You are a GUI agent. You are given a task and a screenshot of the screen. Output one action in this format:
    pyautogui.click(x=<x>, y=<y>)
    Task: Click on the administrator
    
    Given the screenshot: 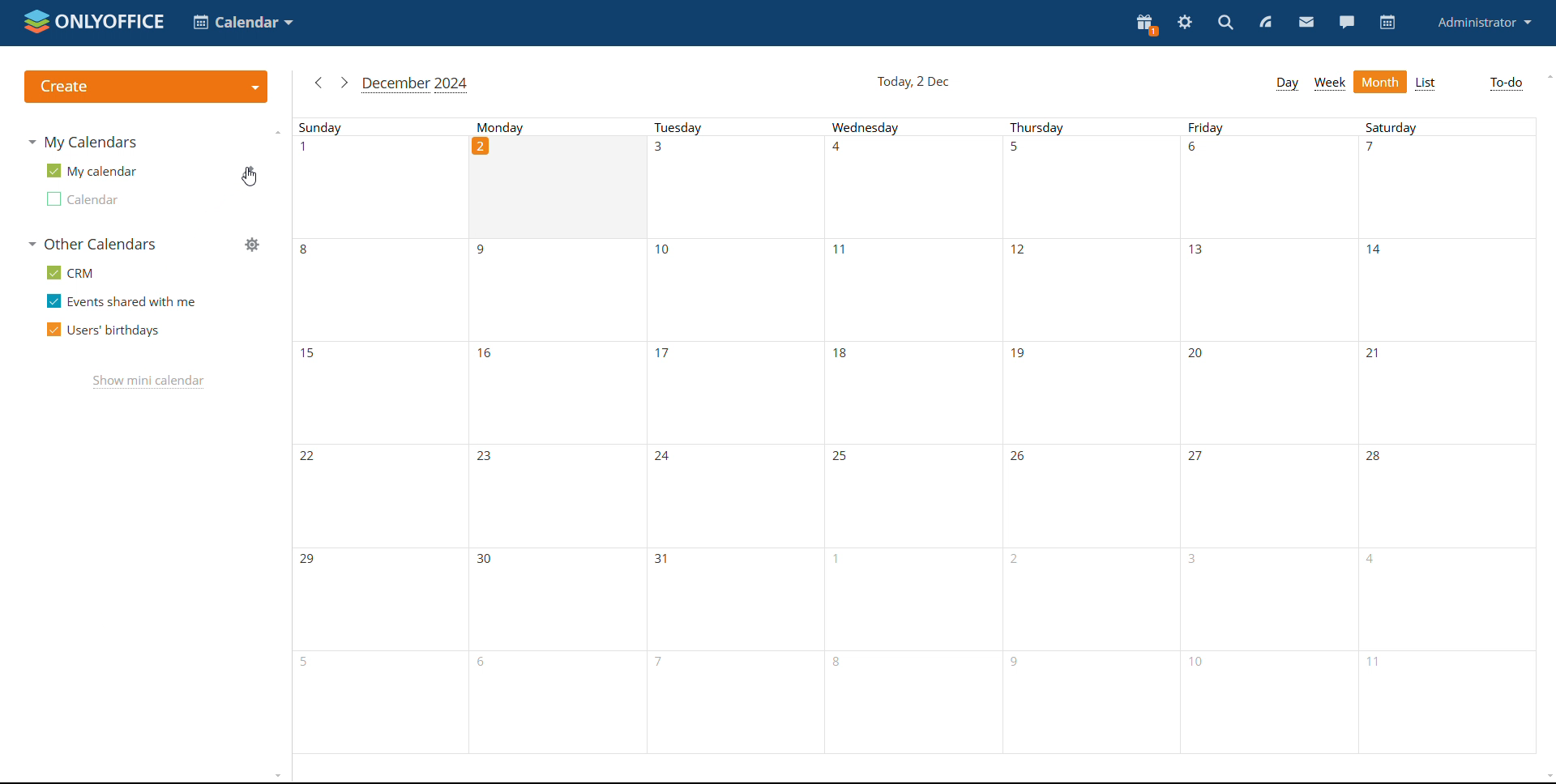 What is the action you would take?
    pyautogui.click(x=1485, y=23)
    